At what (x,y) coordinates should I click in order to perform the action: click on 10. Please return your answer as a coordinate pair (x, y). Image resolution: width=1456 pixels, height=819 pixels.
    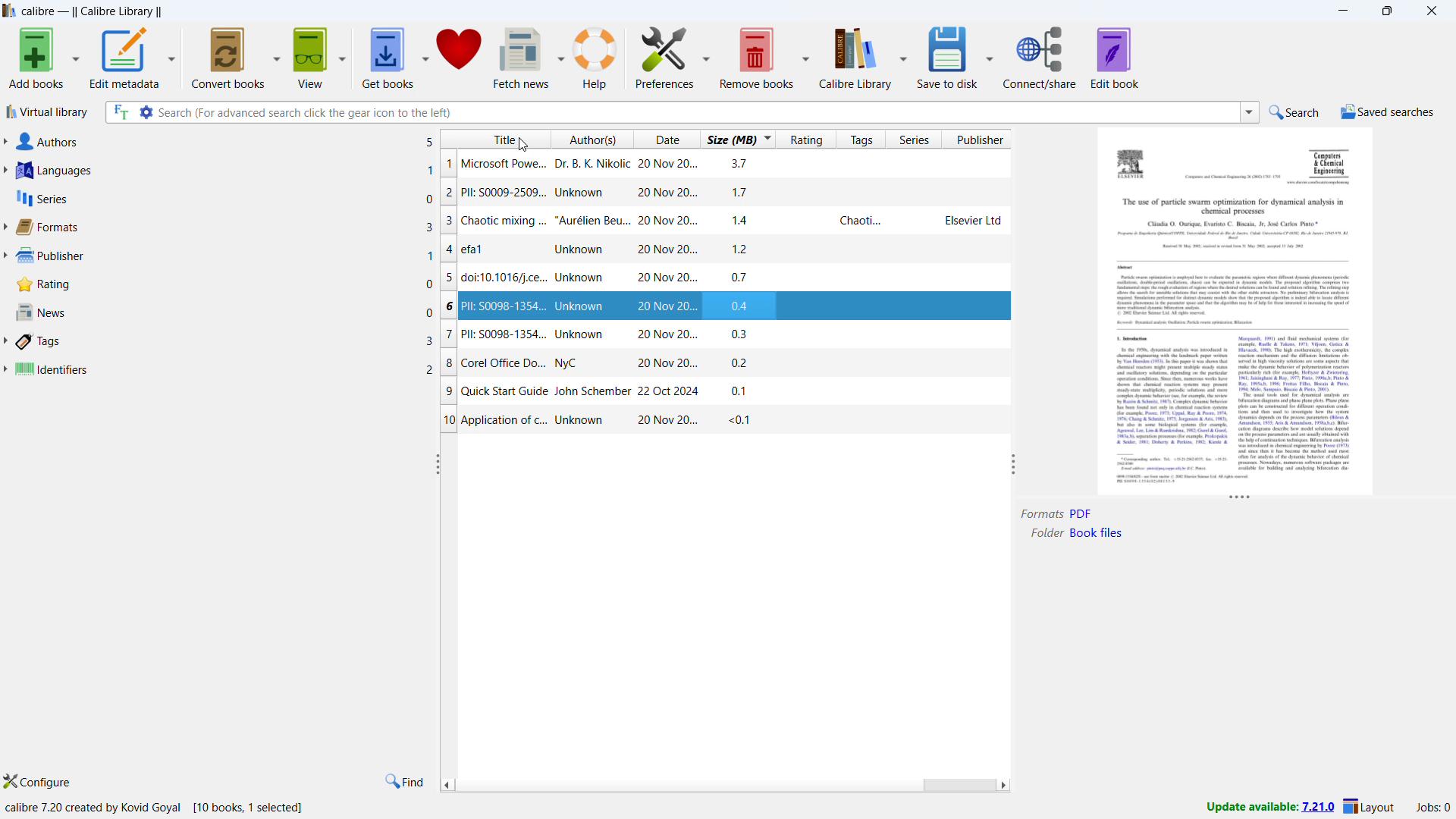
    Looking at the image, I should click on (447, 421).